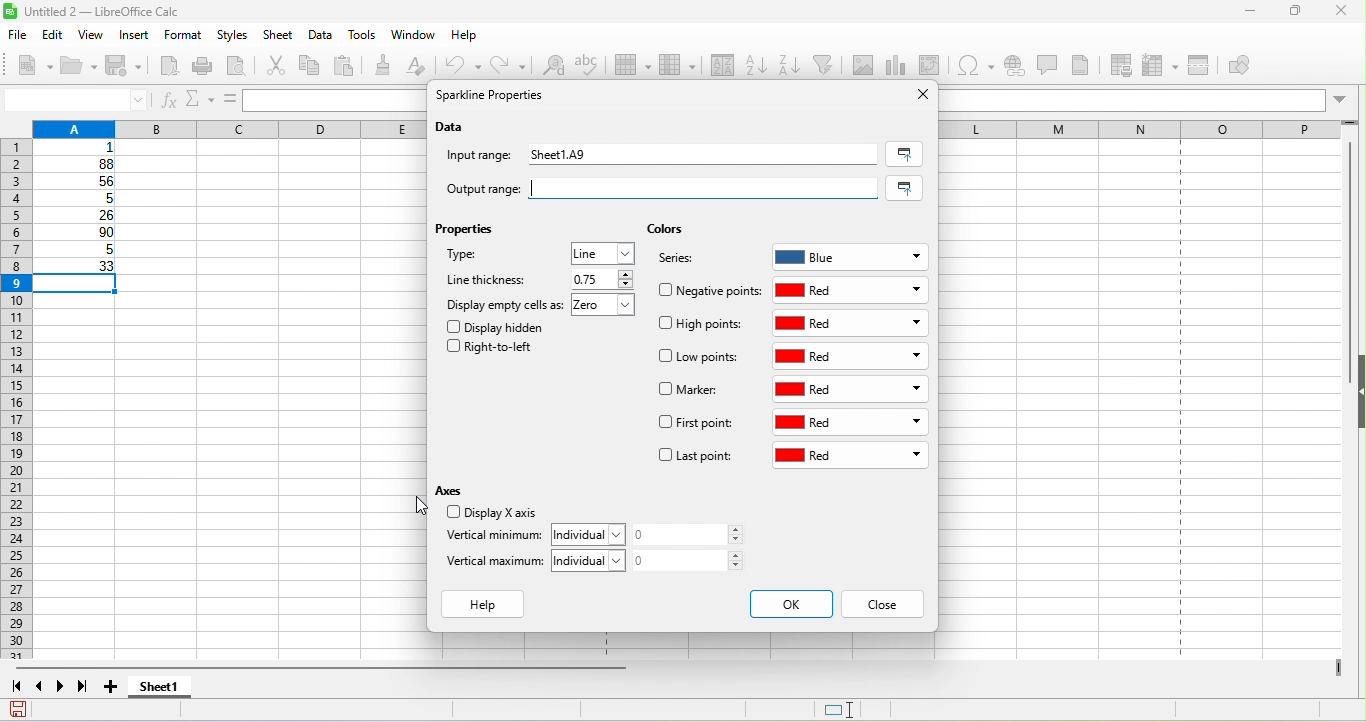 This screenshot has width=1366, height=722. Describe the element at coordinates (851, 323) in the screenshot. I see `red` at that location.